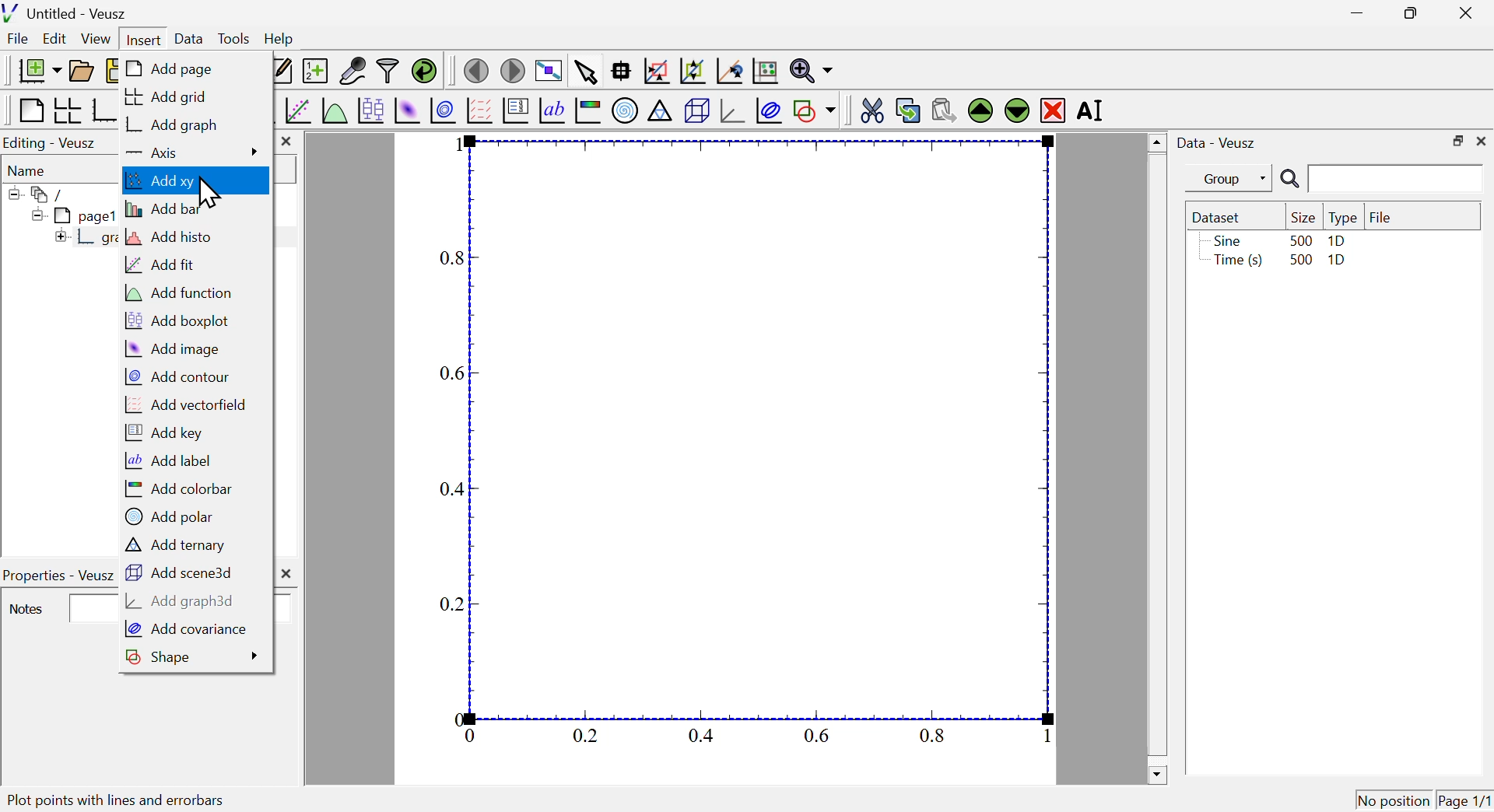 The width and height of the screenshot is (1494, 812). I want to click on maximize, so click(1407, 14).